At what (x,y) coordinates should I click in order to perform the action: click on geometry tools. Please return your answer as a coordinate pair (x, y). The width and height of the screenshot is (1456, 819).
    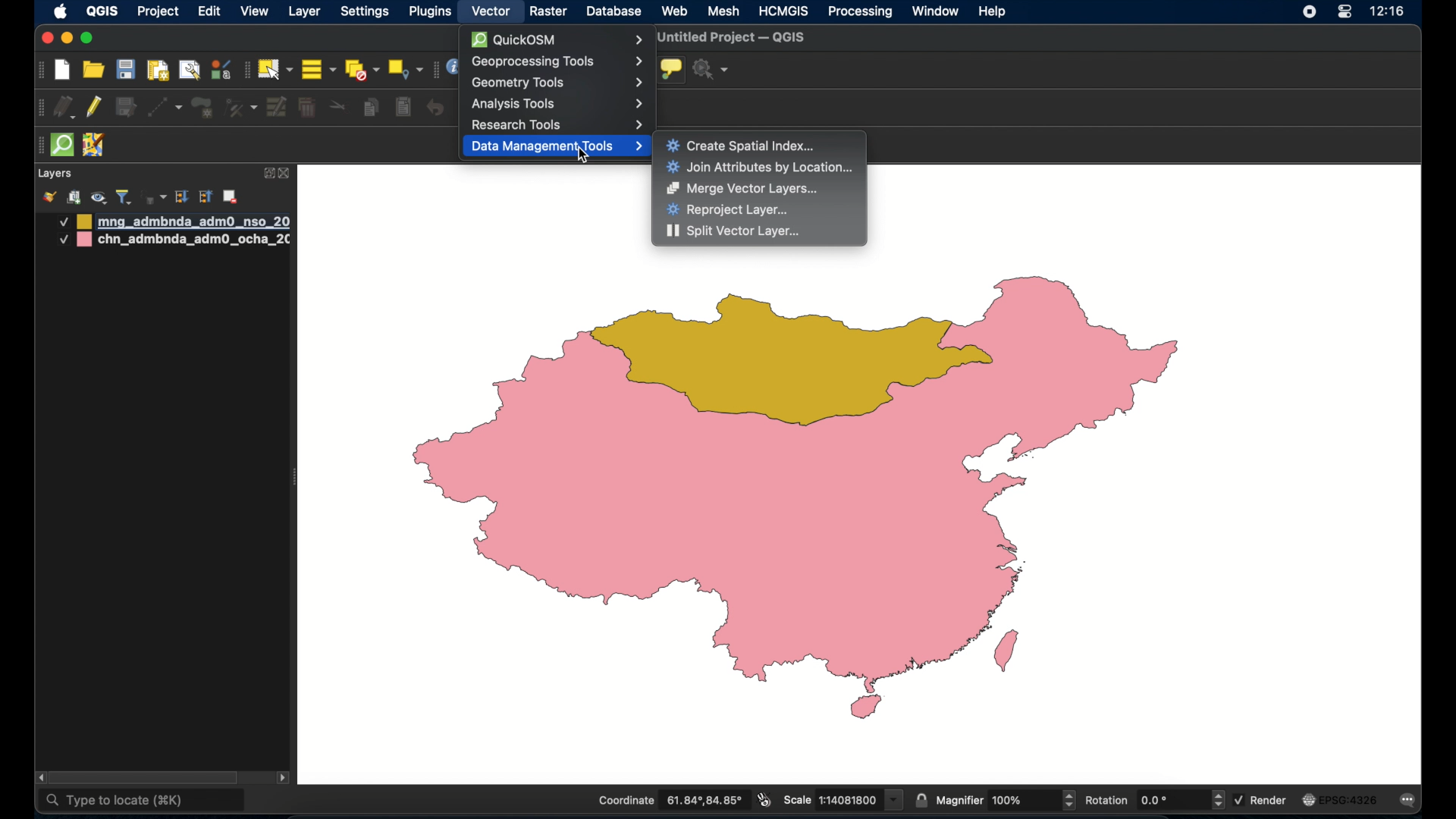
    Looking at the image, I should click on (557, 82).